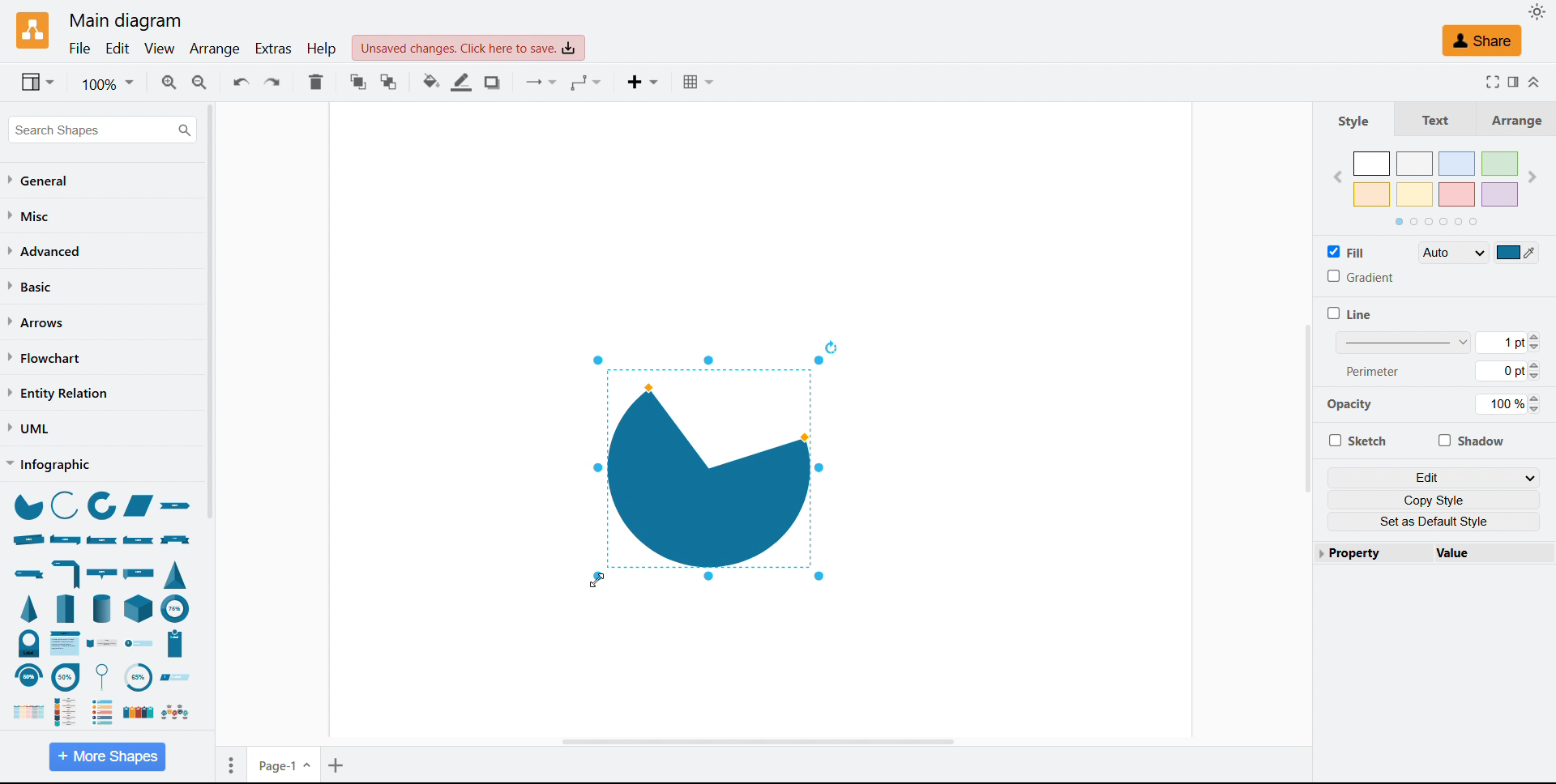  What do you see at coordinates (1538, 11) in the screenshot?
I see `Toggle theme ` at bounding box center [1538, 11].